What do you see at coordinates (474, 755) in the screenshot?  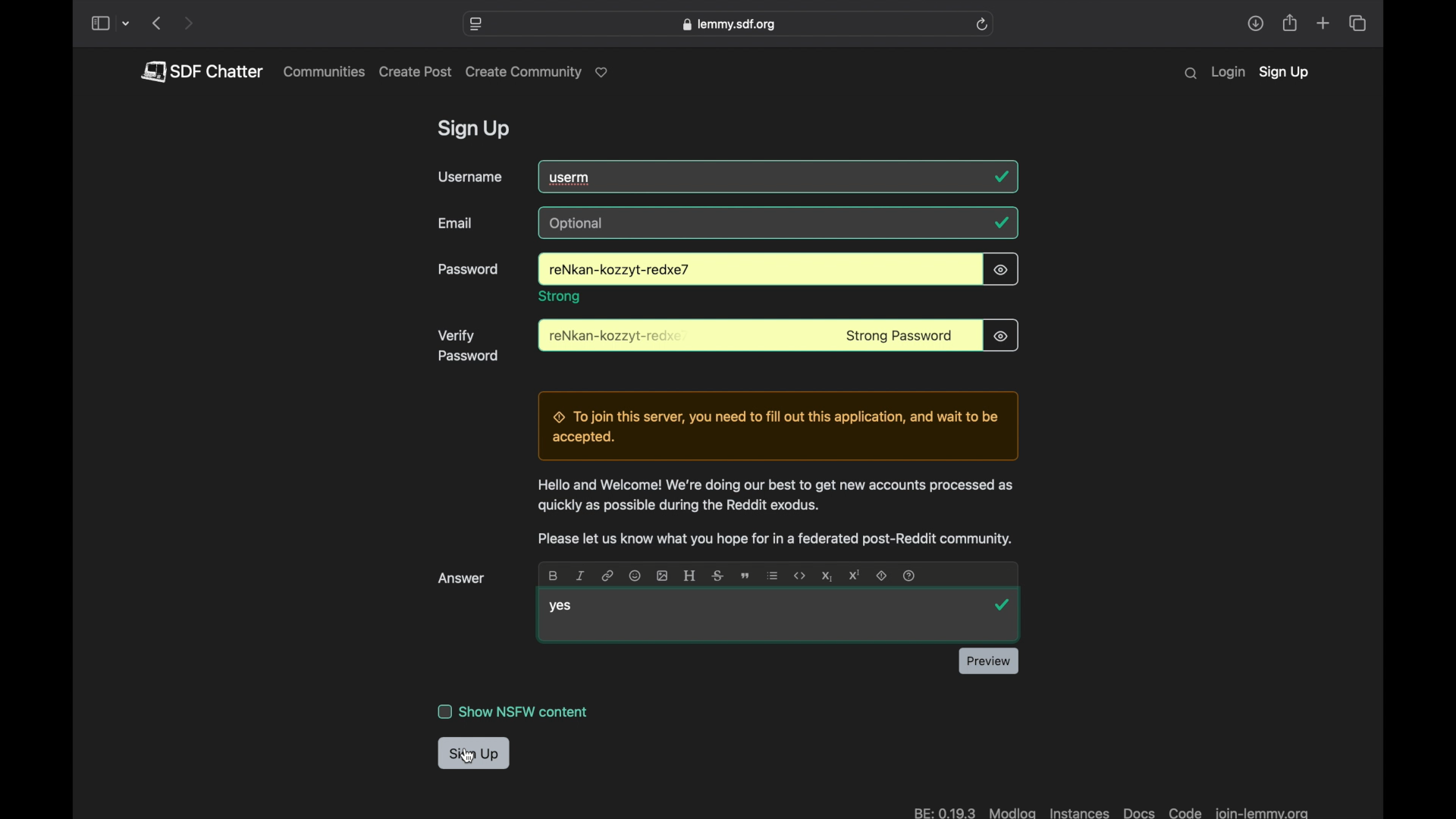 I see `sign up` at bounding box center [474, 755].